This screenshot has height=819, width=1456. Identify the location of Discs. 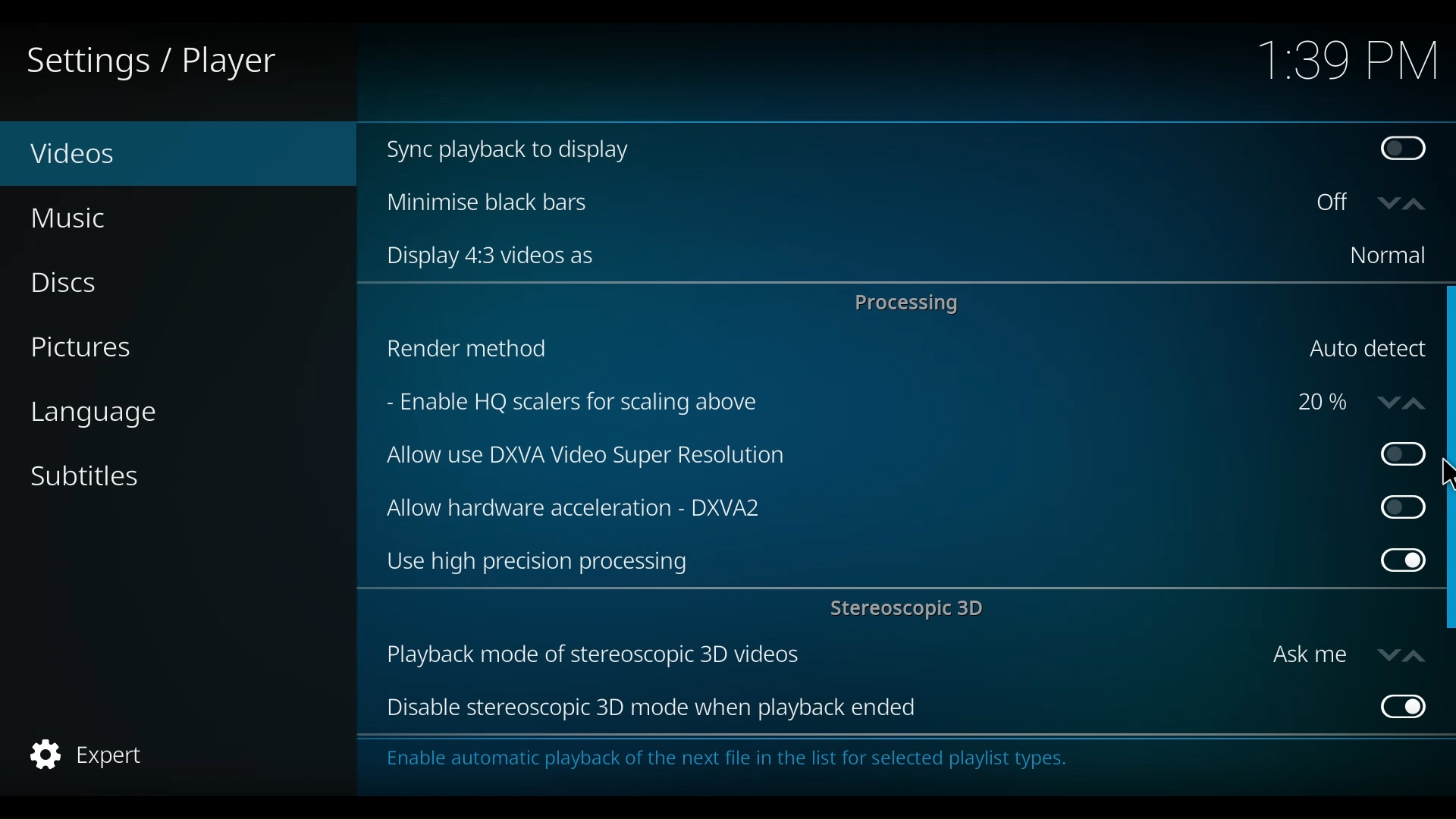
(74, 284).